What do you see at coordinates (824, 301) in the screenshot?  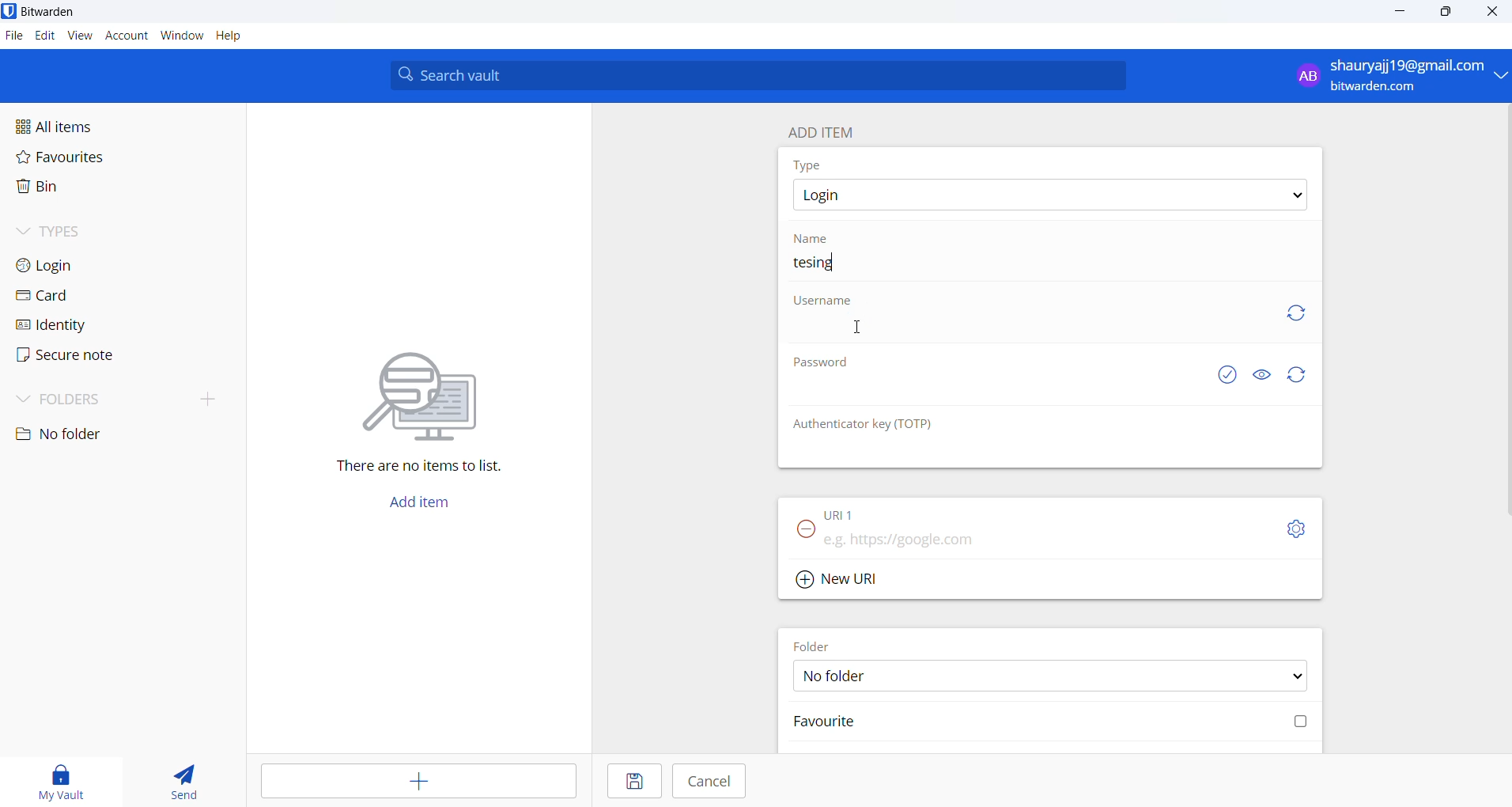 I see `username` at bounding box center [824, 301].